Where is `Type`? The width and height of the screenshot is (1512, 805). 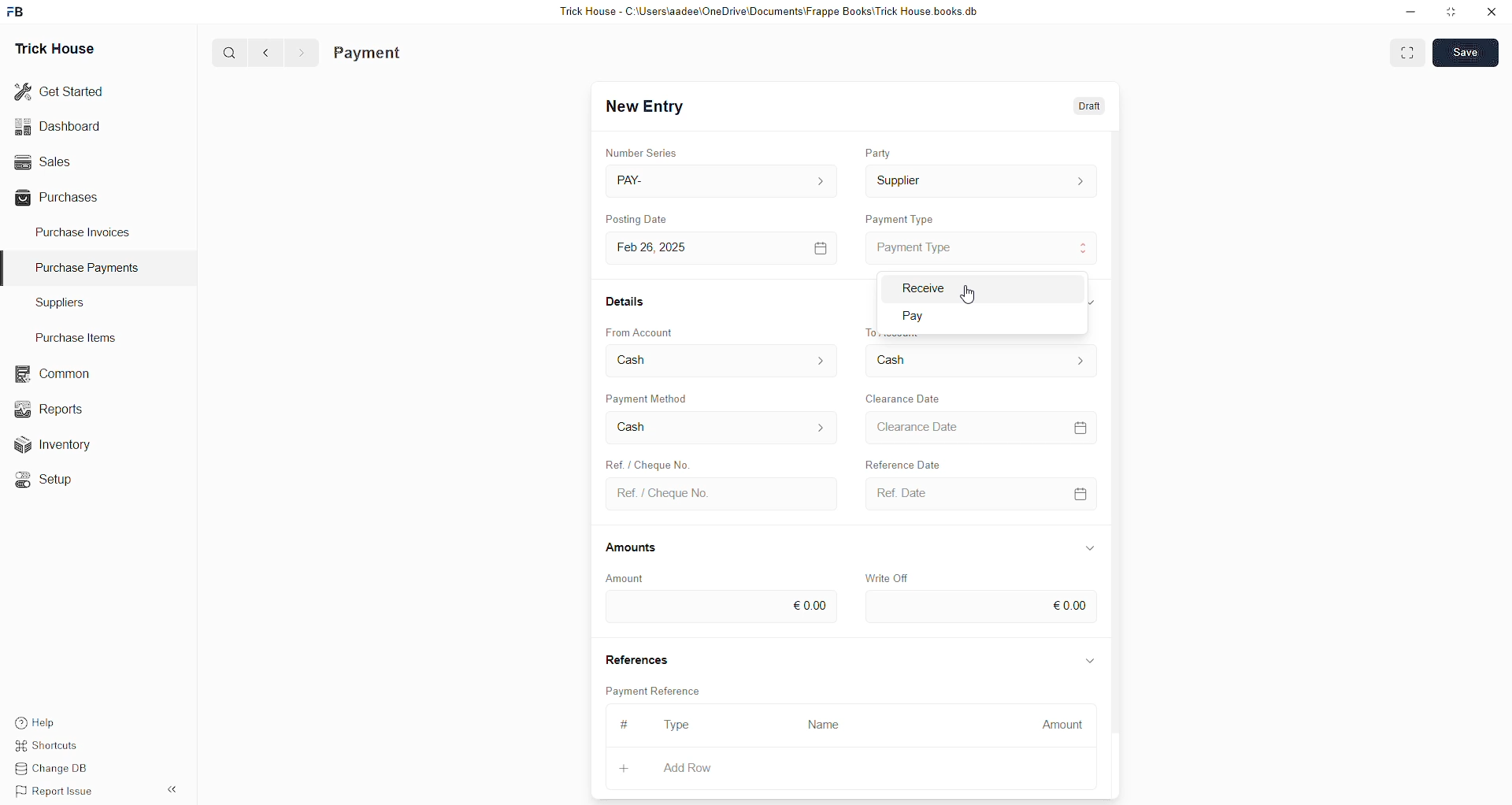
Type is located at coordinates (680, 725).